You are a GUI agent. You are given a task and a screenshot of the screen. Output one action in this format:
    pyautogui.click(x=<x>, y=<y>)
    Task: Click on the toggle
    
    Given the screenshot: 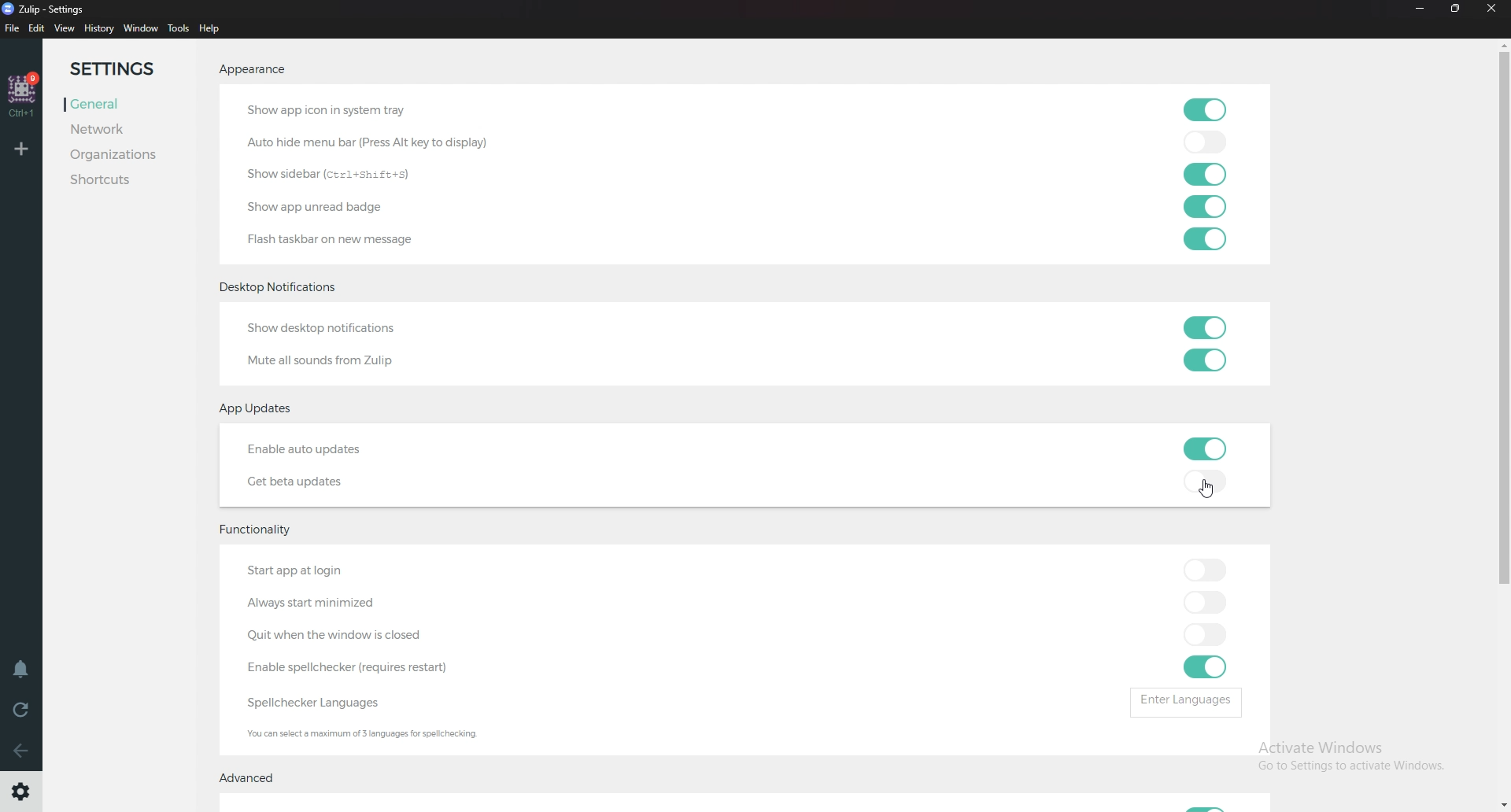 What is the action you would take?
    pyautogui.click(x=1205, y=145)
    